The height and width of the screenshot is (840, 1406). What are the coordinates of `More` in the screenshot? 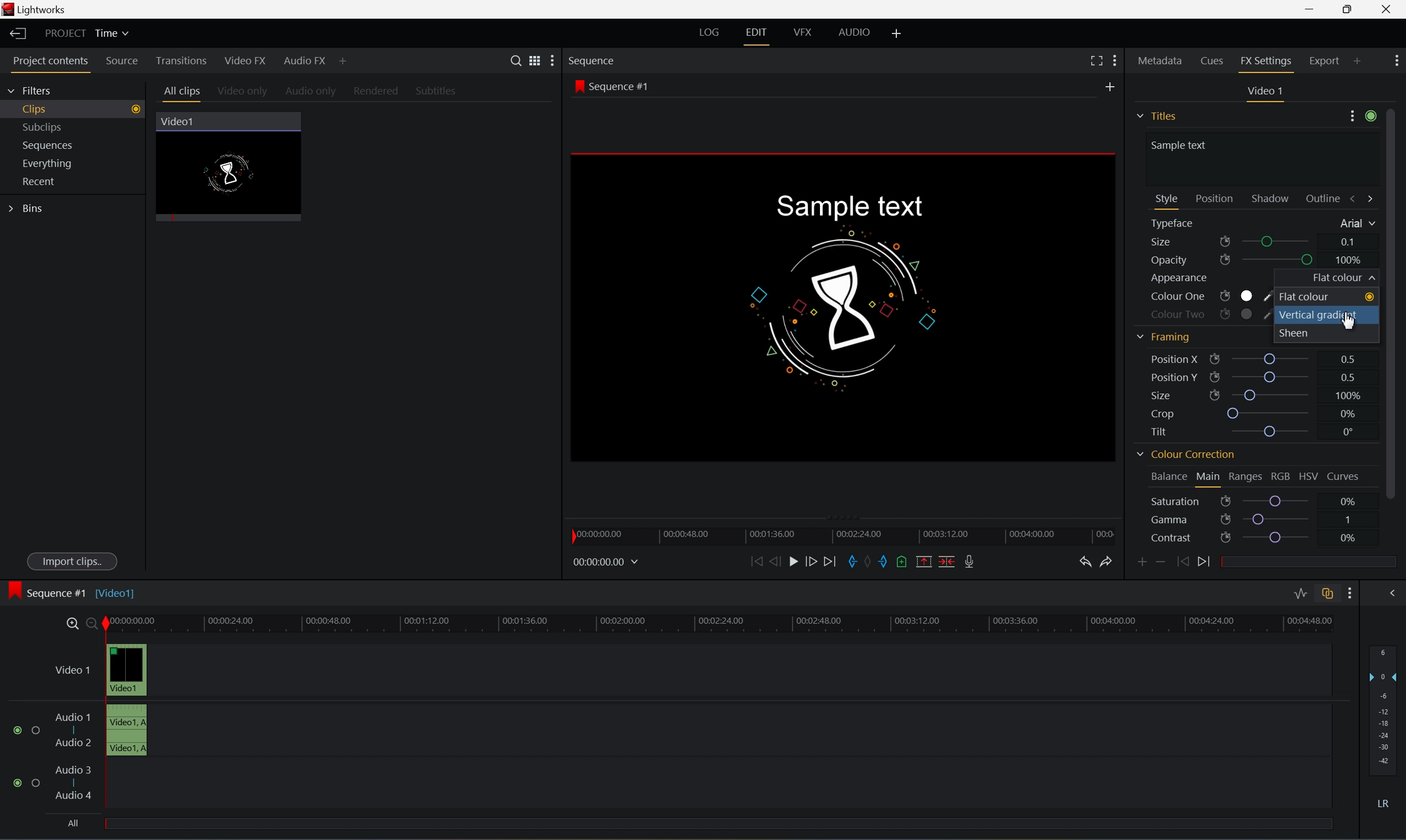 It's located at (344, 63).